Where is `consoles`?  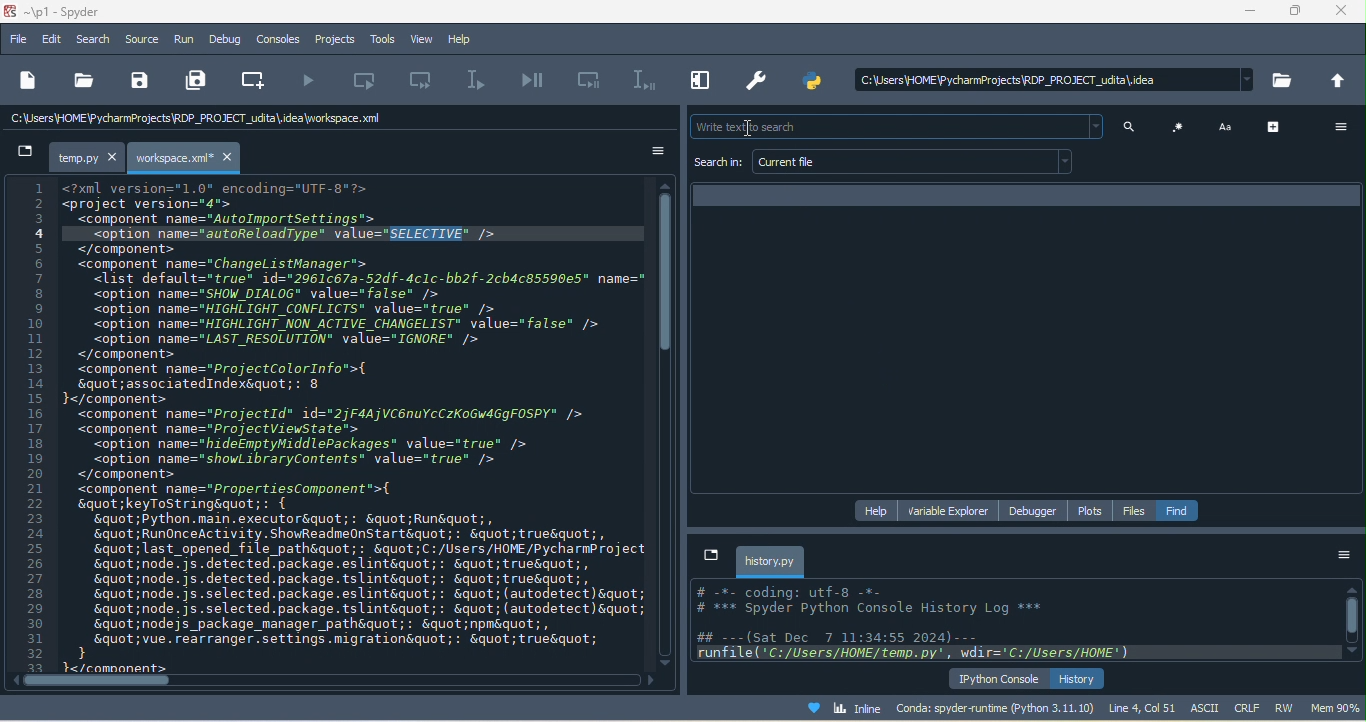 consoles is located at coordinates (280, 39).